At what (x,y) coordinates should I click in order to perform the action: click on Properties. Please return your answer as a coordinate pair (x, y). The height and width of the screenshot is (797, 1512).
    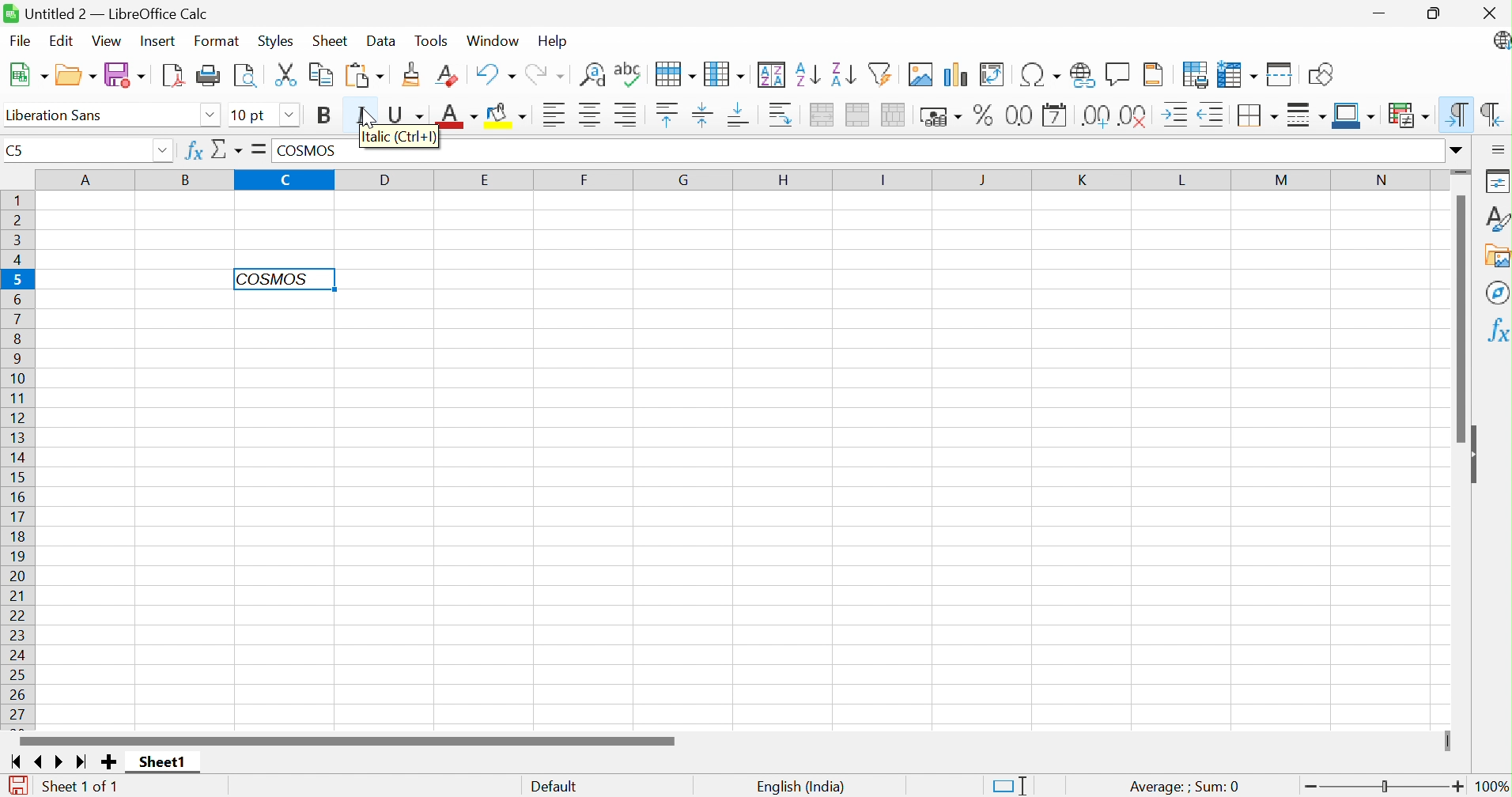
    Looking at the image, I should click on (1499, 179).